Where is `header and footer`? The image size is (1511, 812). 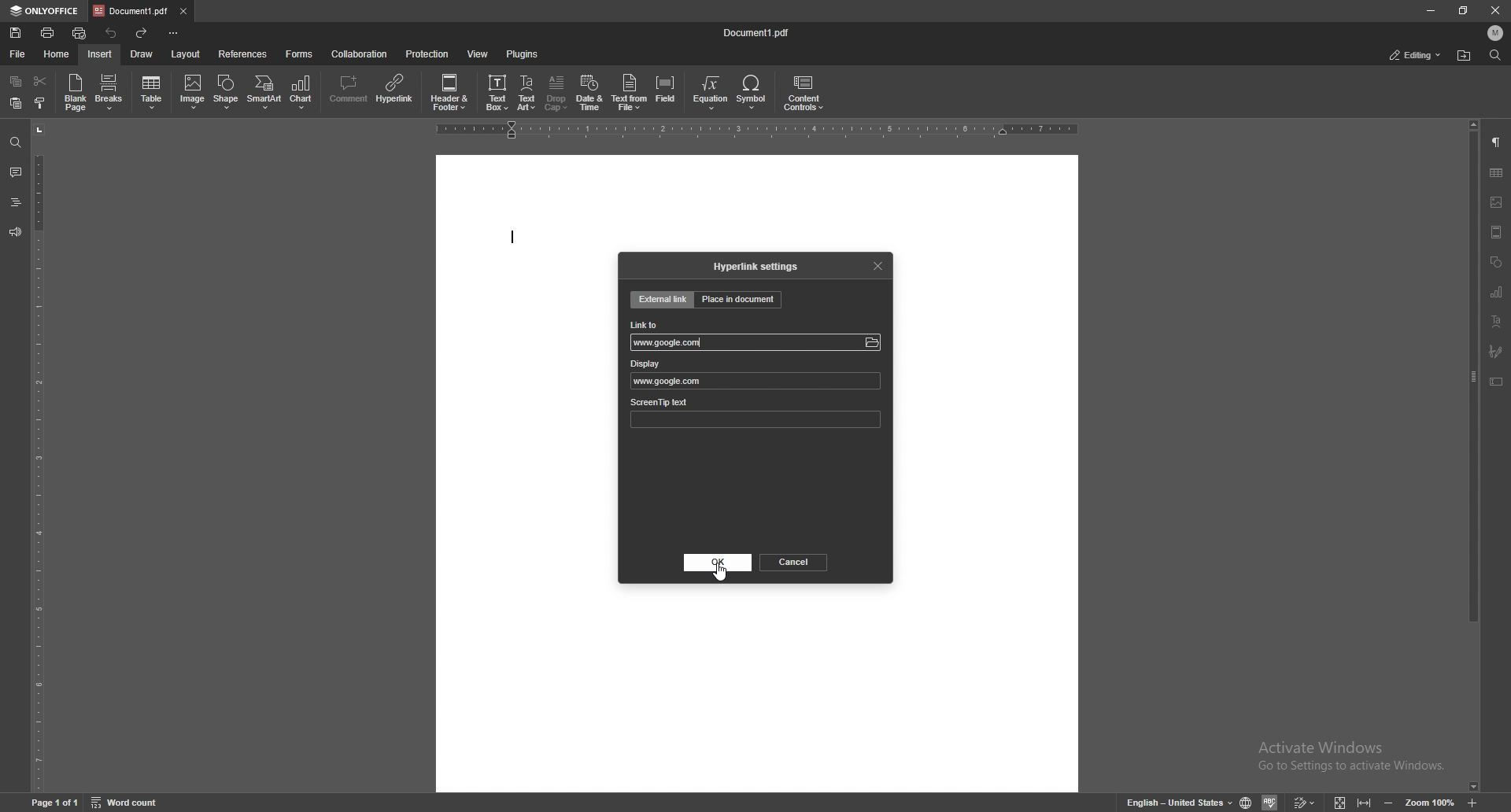 header and footer is located at coordinates (452, 91).